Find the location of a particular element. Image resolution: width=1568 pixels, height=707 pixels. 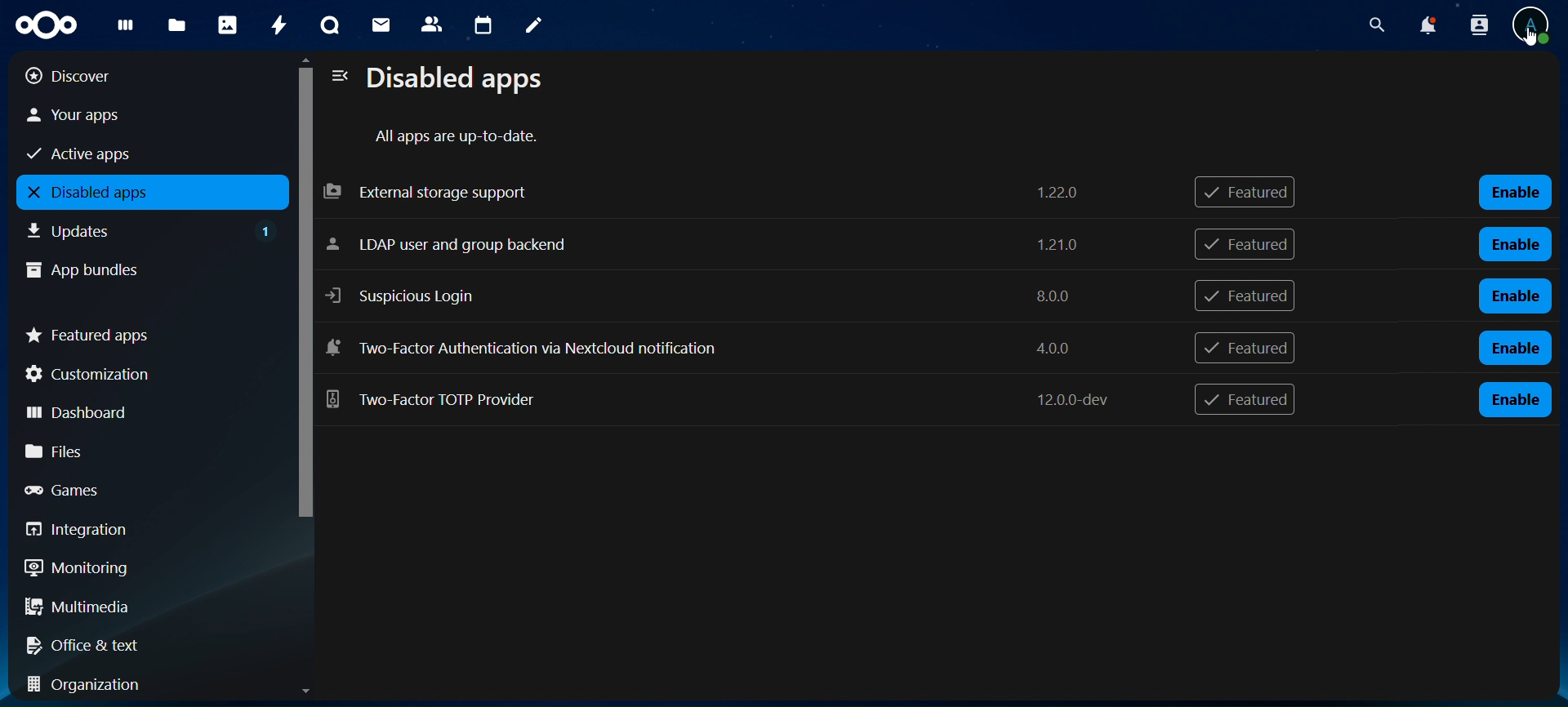

organization is located at coordinates (147, 684).